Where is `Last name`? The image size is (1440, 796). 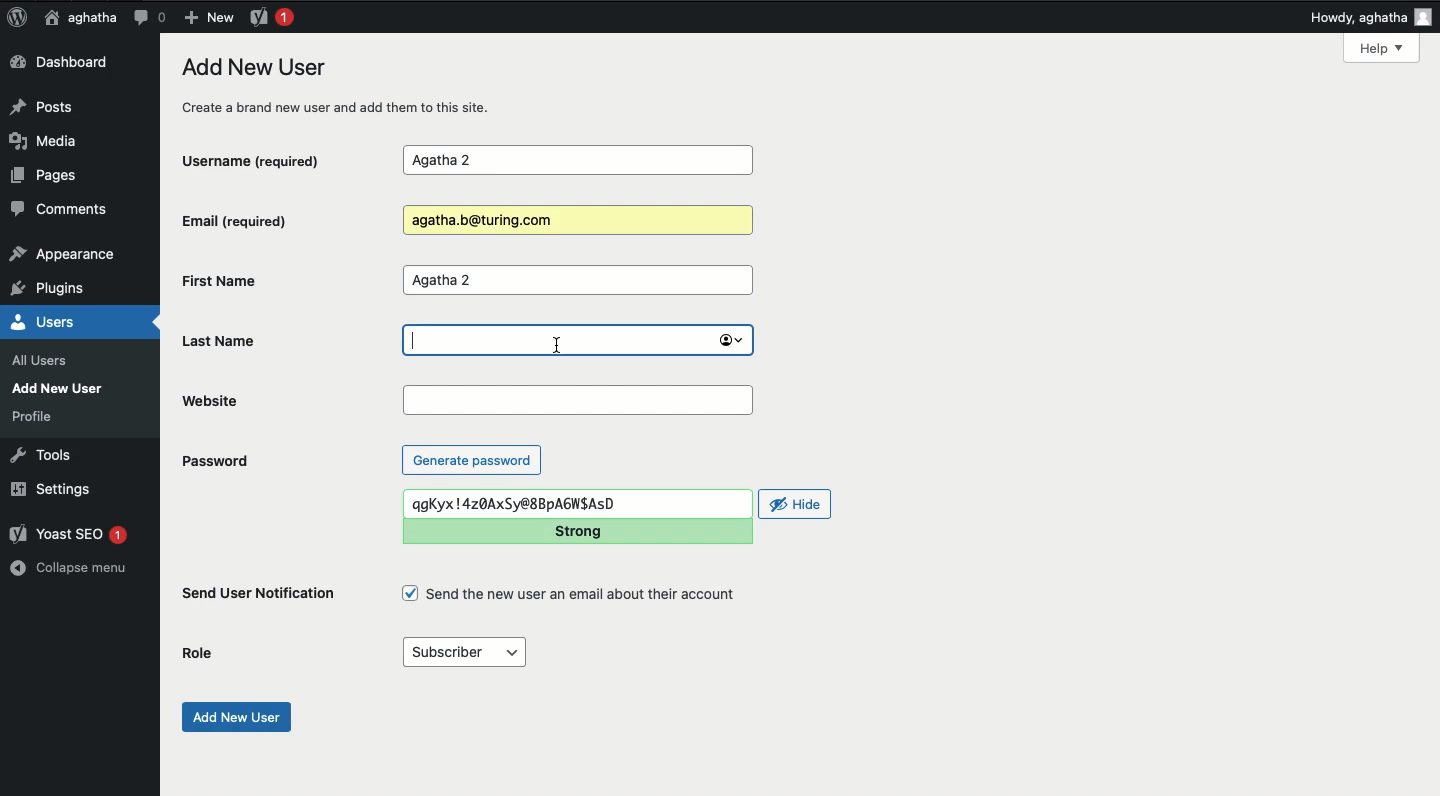
Last name is located at coordinates (575, 341).